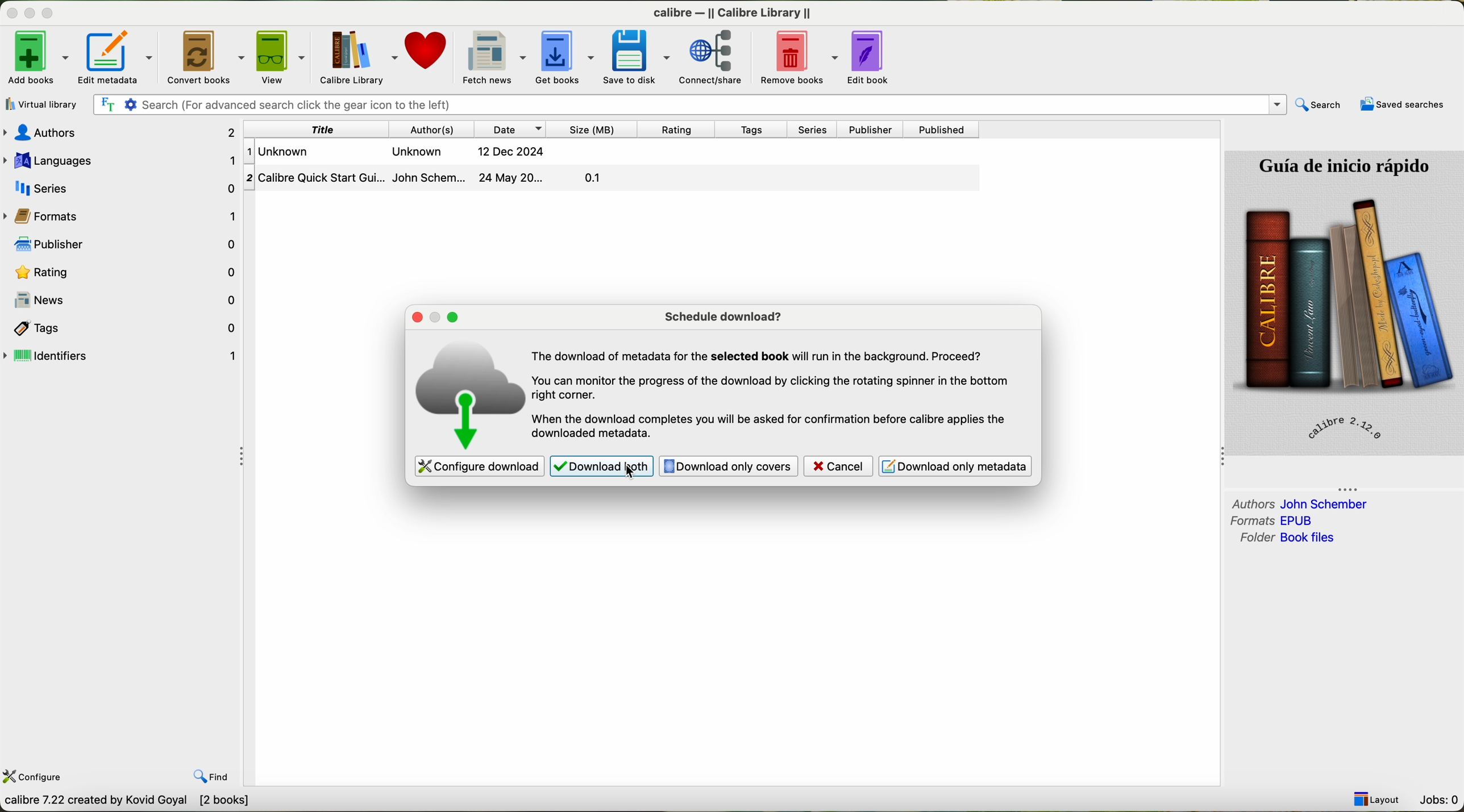  What do you see at coordinates (1275, 520) in the screenshot?
I see `formats` at bounding box center [1275, 520].